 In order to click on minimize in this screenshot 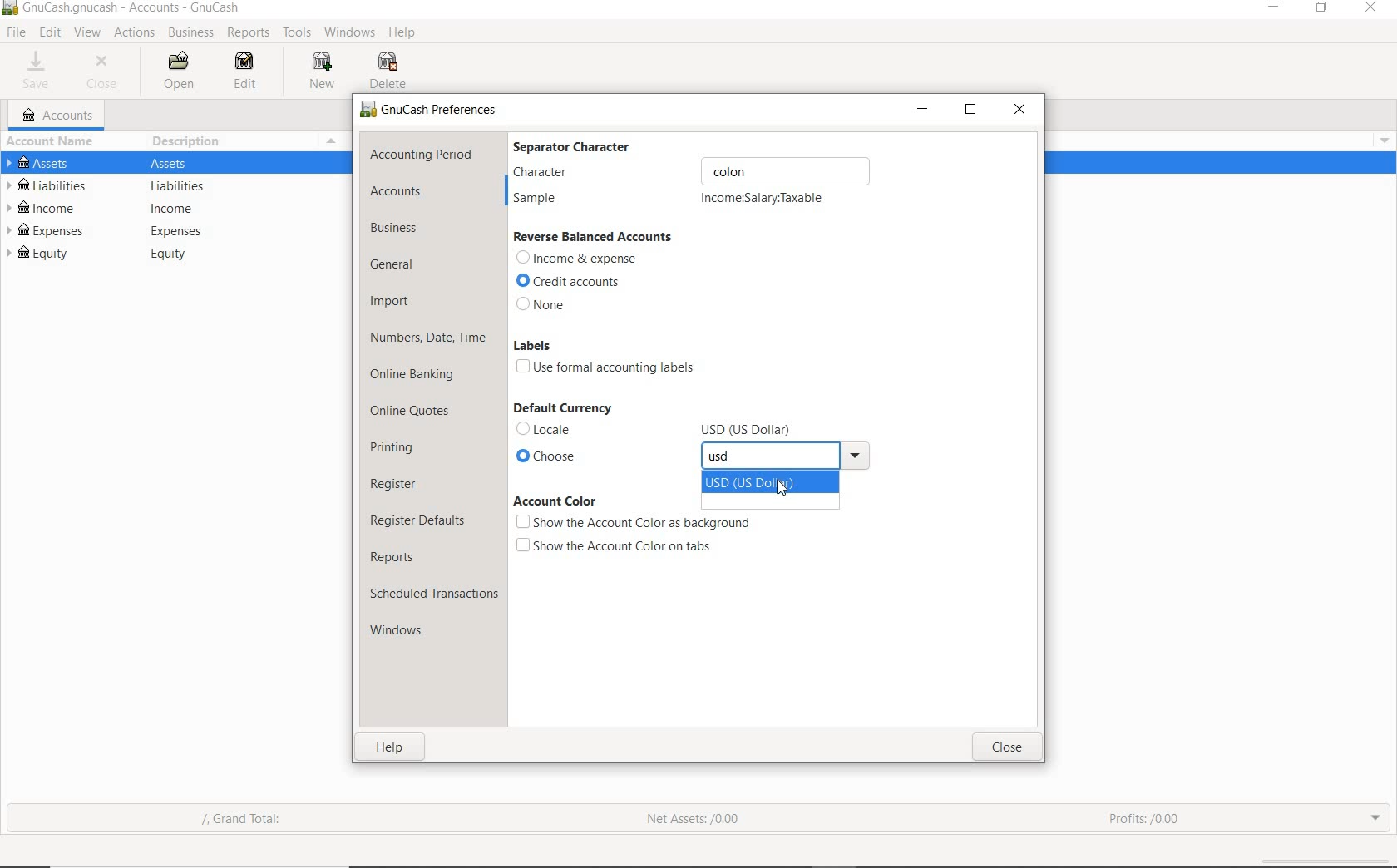, I will do `click(1271, 8)`.